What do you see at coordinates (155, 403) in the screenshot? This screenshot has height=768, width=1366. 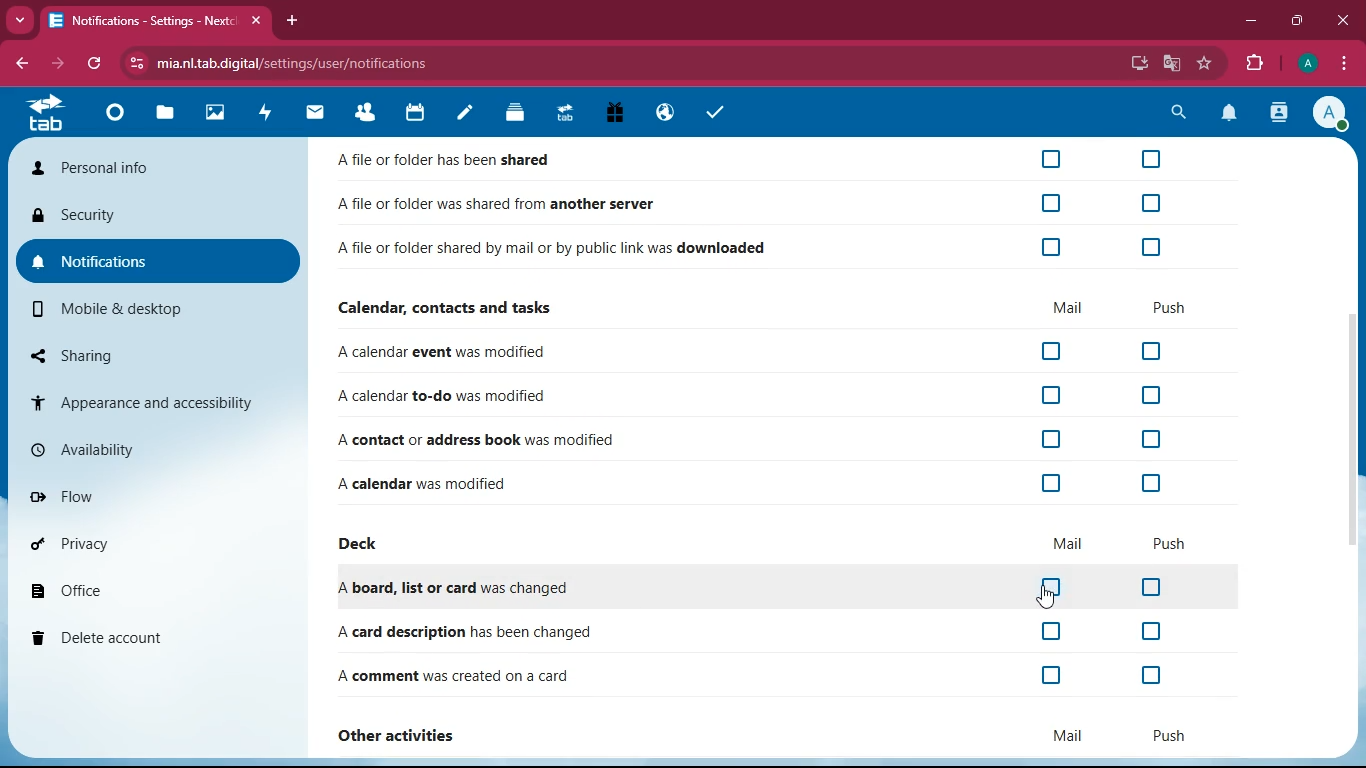 I see `appearance and accessibility` at bounding box center [155, 403].